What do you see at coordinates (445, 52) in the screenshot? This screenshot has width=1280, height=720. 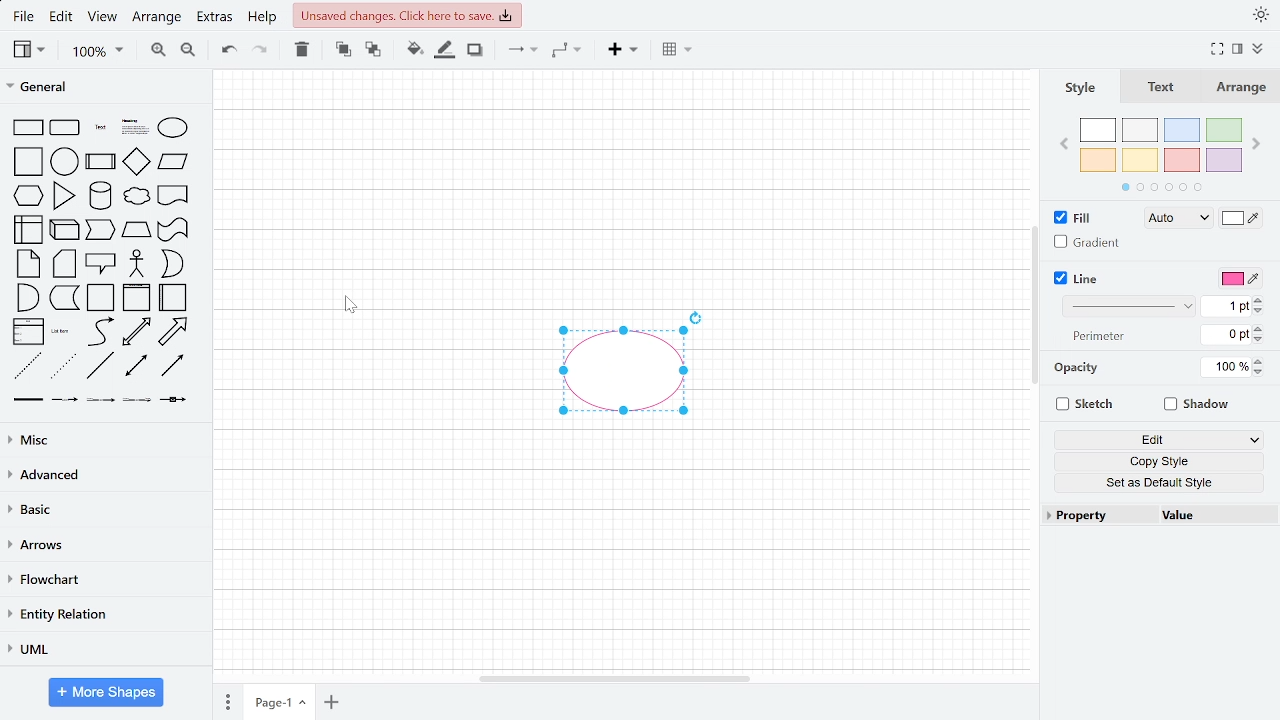 I see `Fill line` at bounding box center [445, 52].